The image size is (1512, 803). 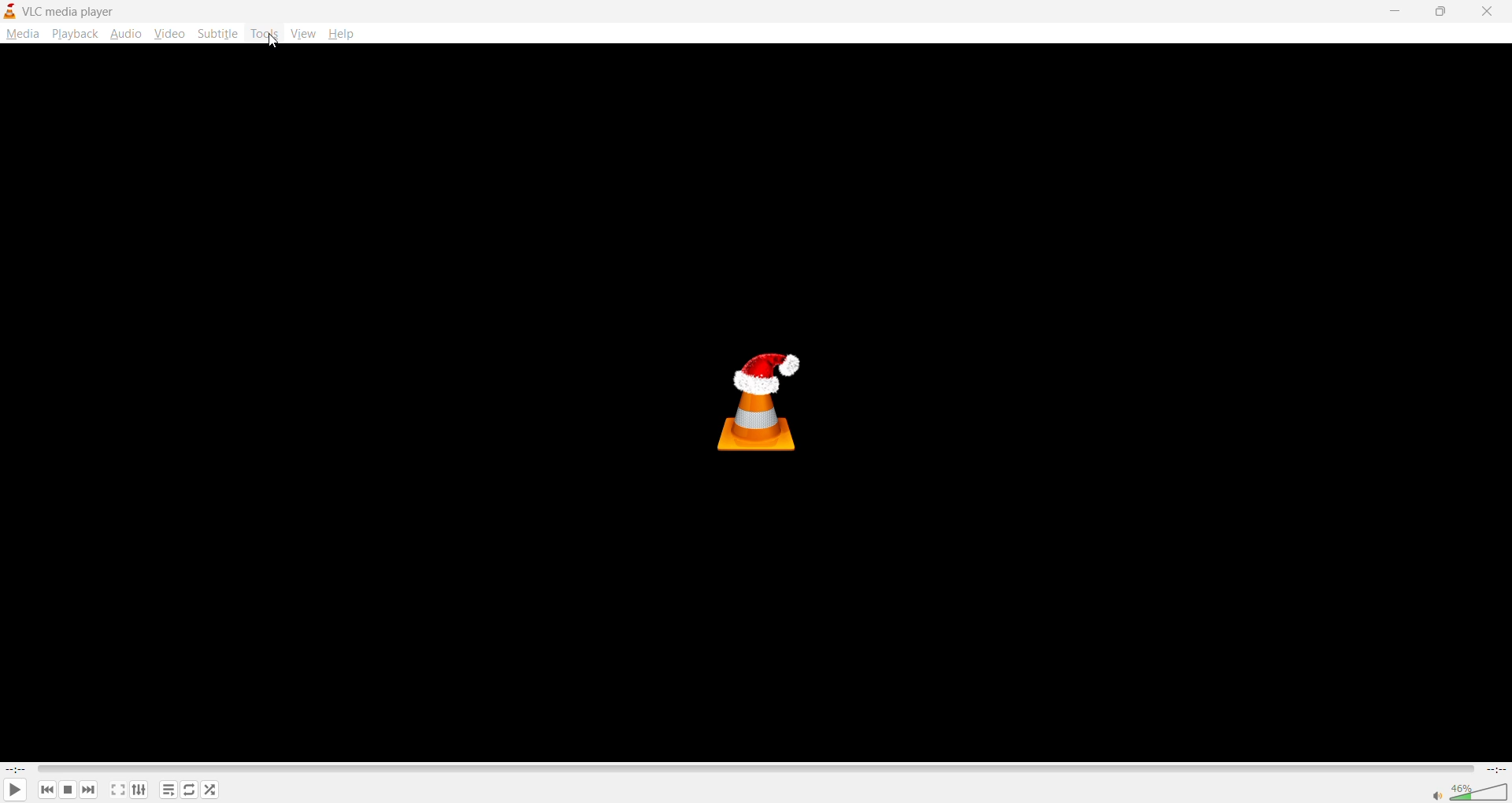 I want to click on stop, so click(x=65, y=790).